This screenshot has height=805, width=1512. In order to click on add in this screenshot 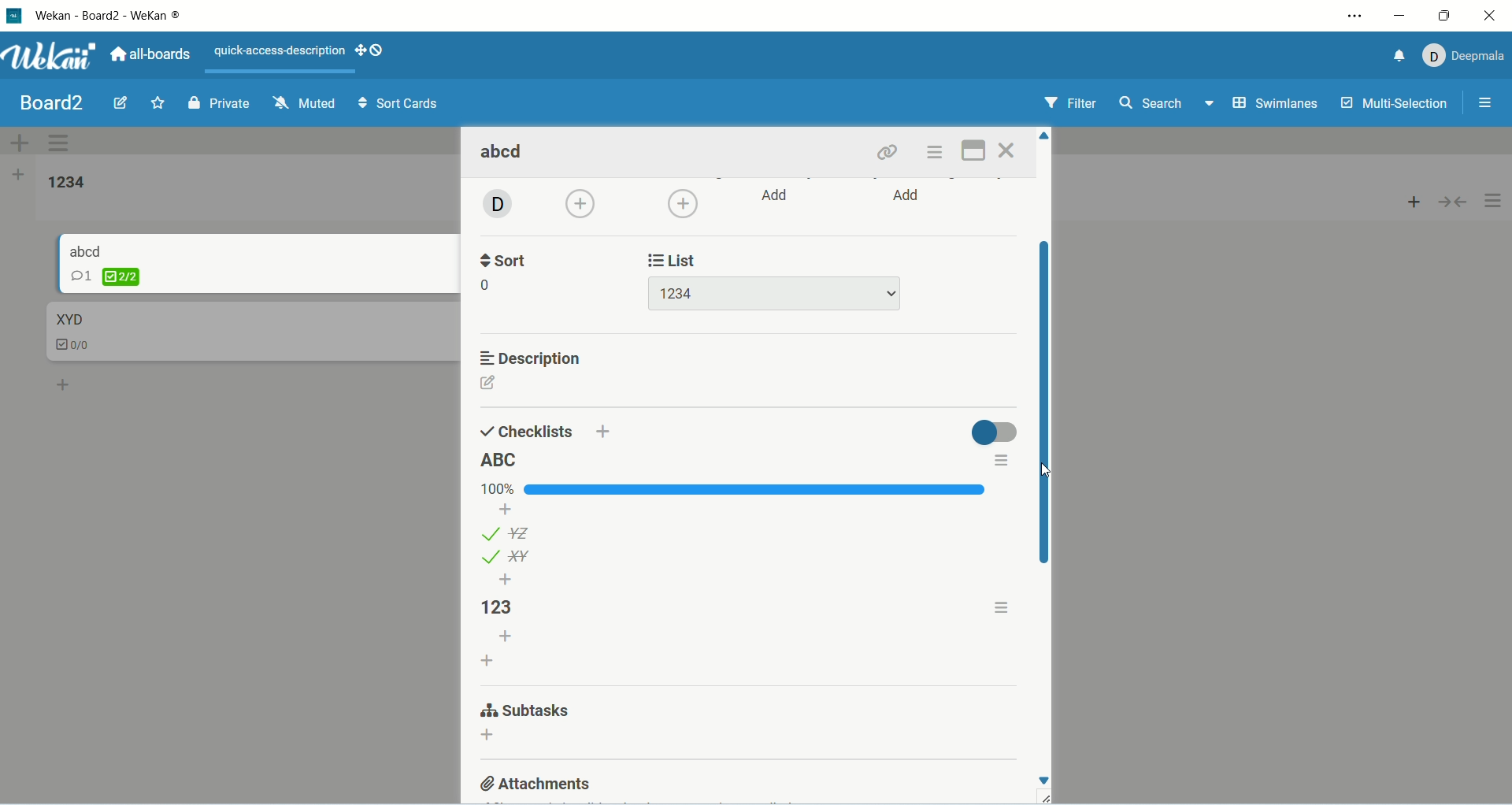, I will do `click(777, 195)`.